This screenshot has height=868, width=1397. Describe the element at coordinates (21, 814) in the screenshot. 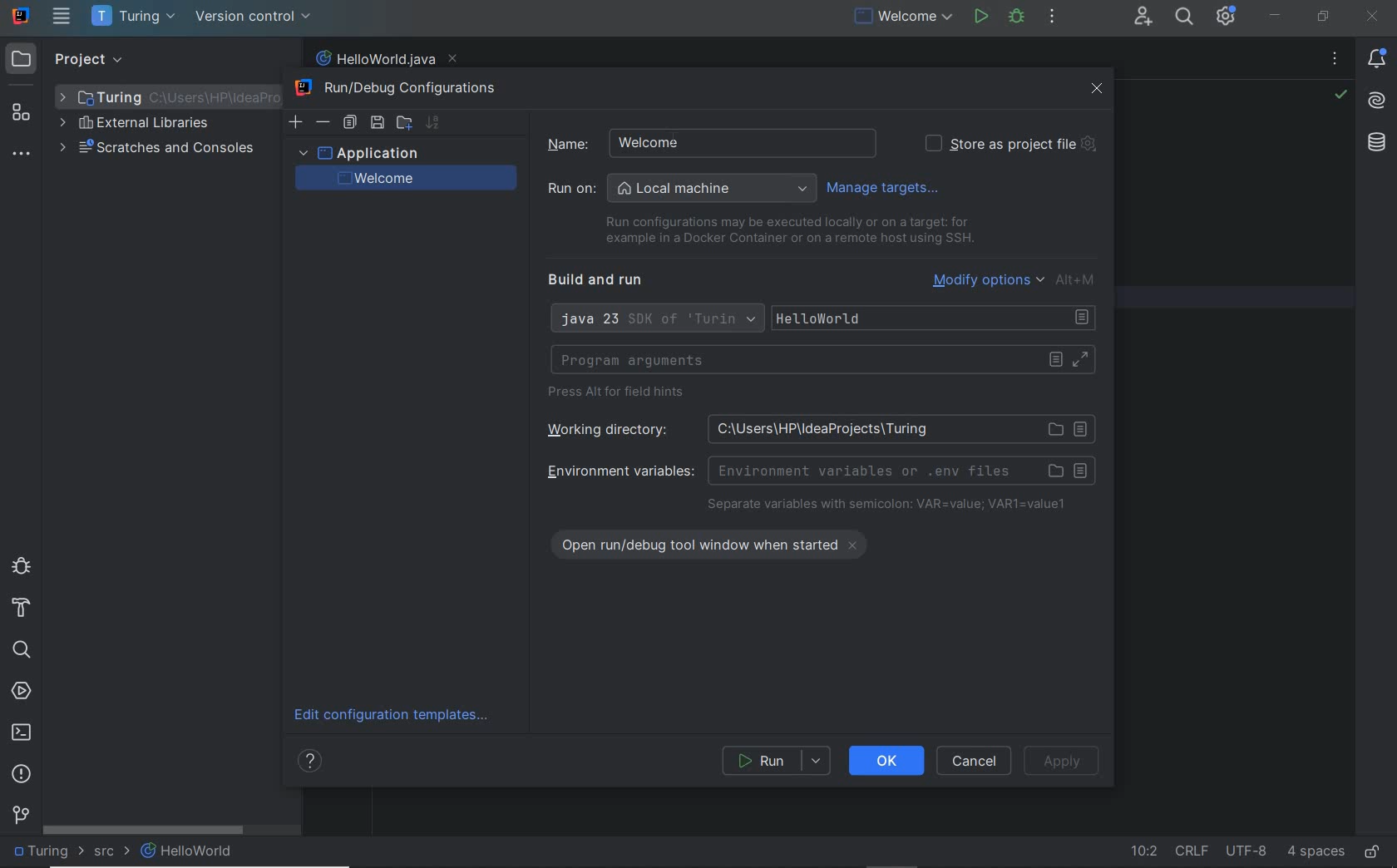

I see `version control` at that location.